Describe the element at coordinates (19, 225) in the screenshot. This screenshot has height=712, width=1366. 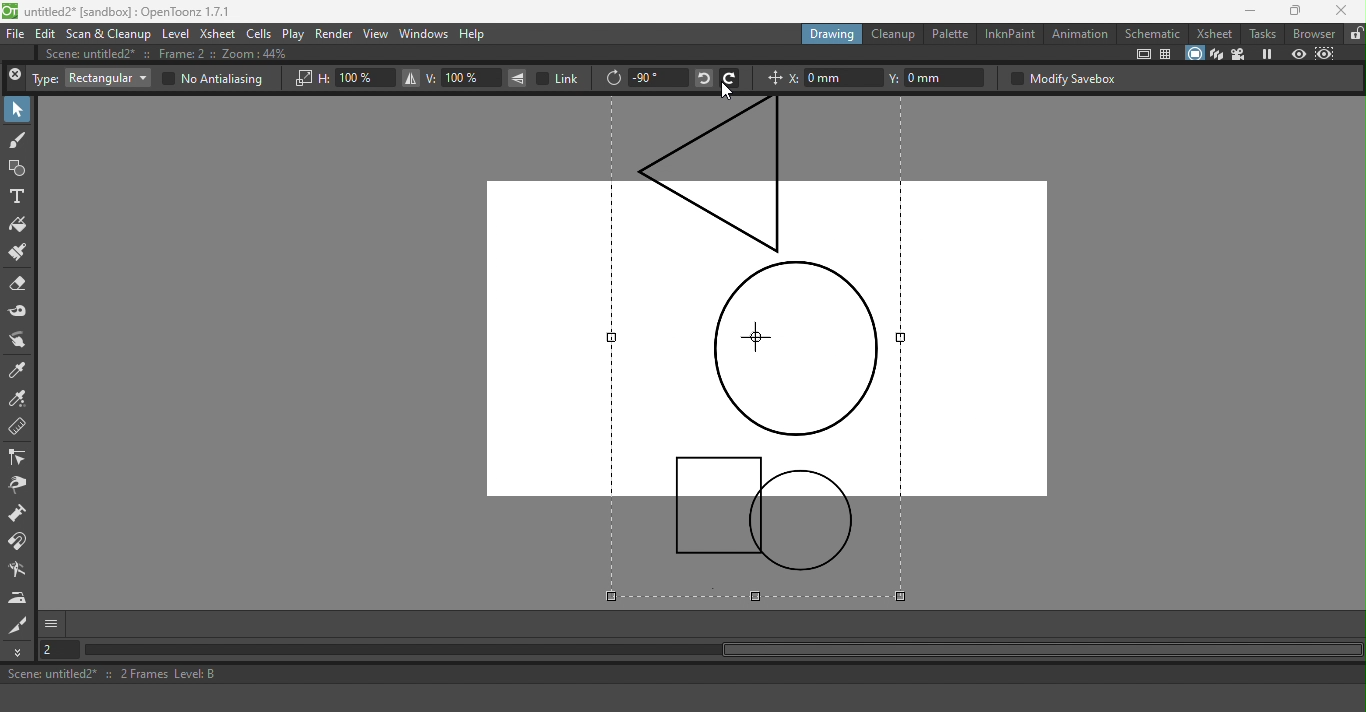
I see `Fill tool` at that location.